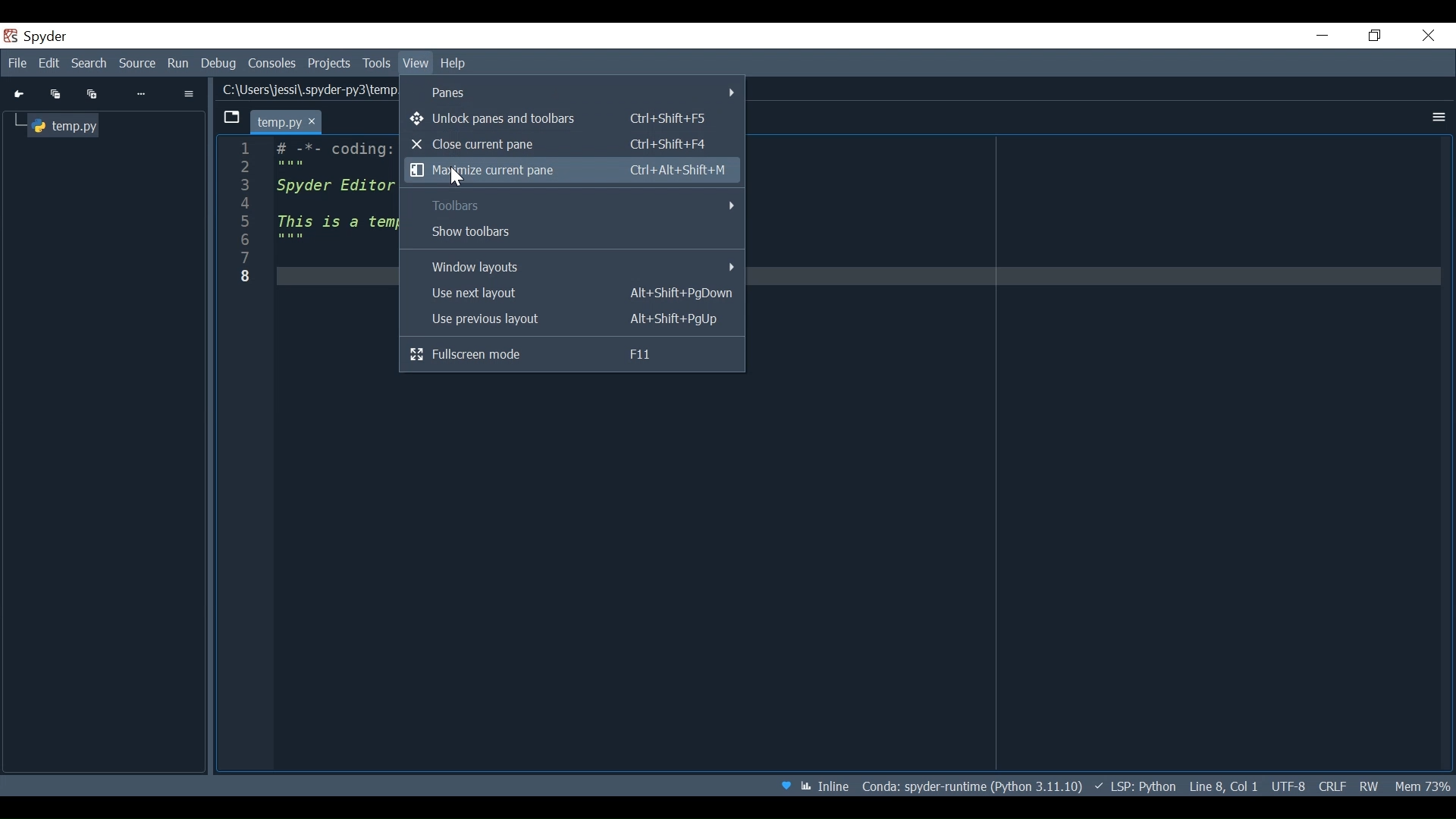 Image resolution: width=1456 pixels, height=819 pixels. I want to click on cursor, so click(461, 180).